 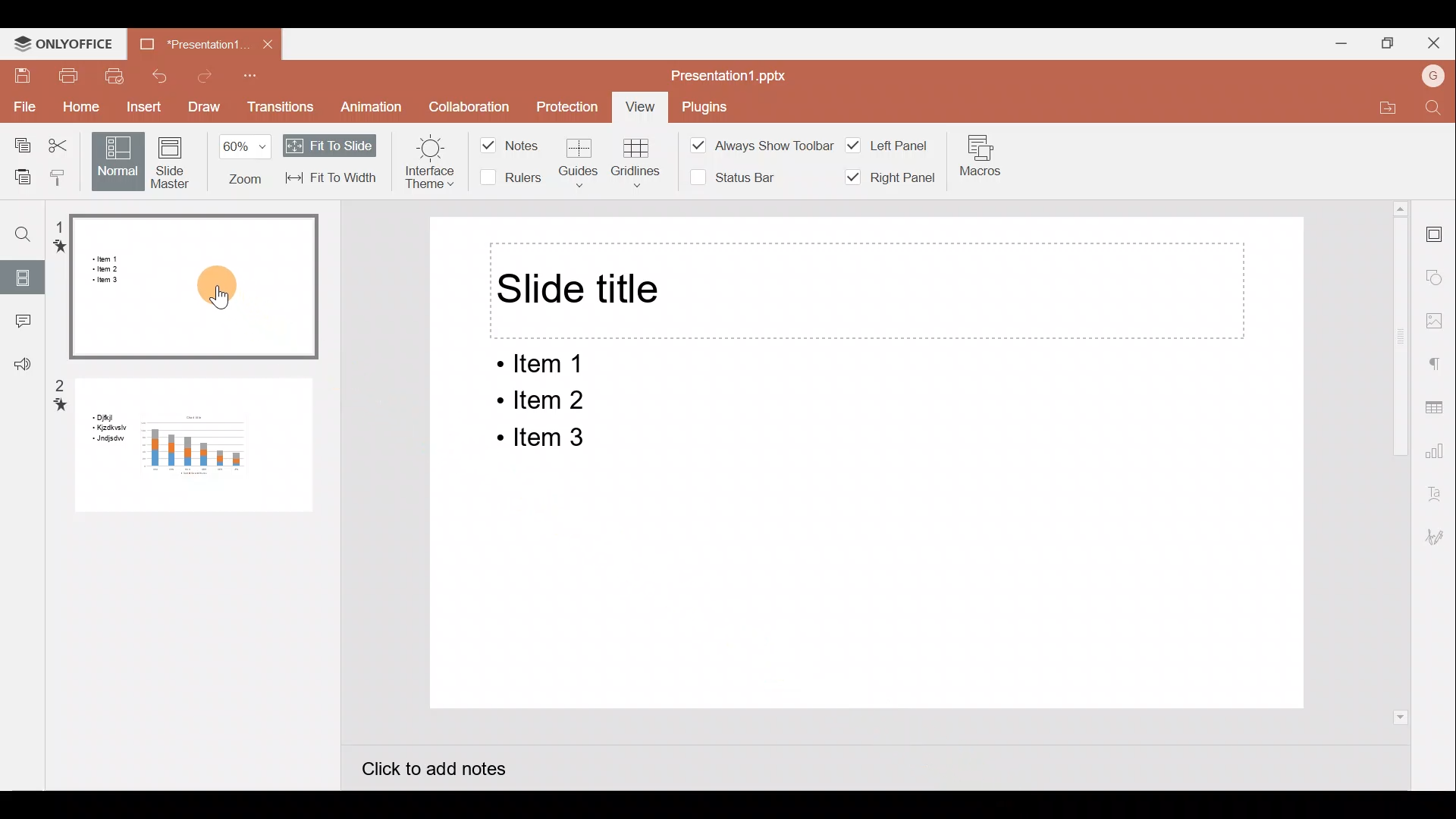 I want to click on Redo, so click(x=204, y=77).